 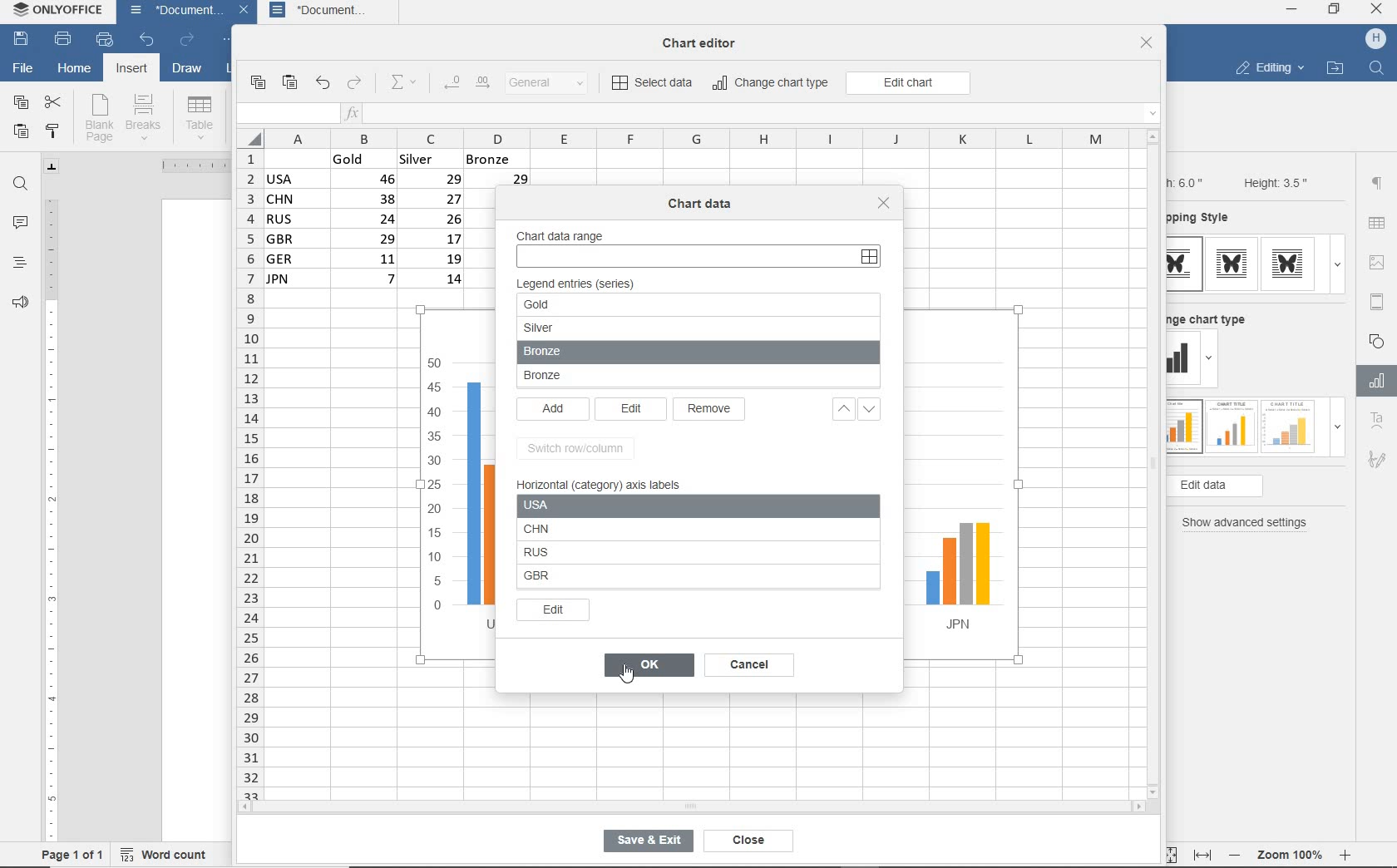 I want to click on copy, so click(x=20, y=103).